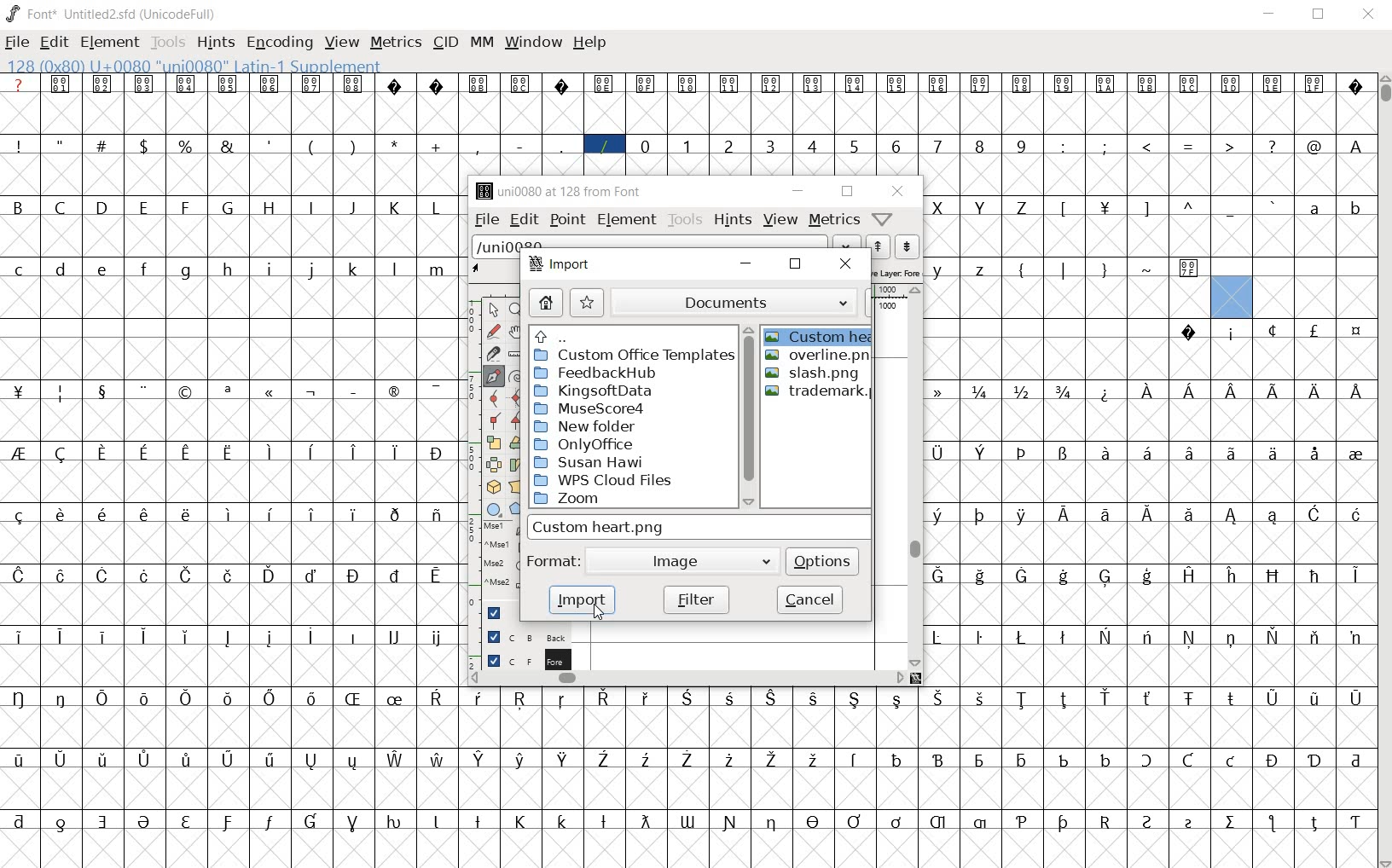 The width and height of the screenshot is (1392, 868). I want to click on glyph, so click(520, 699).